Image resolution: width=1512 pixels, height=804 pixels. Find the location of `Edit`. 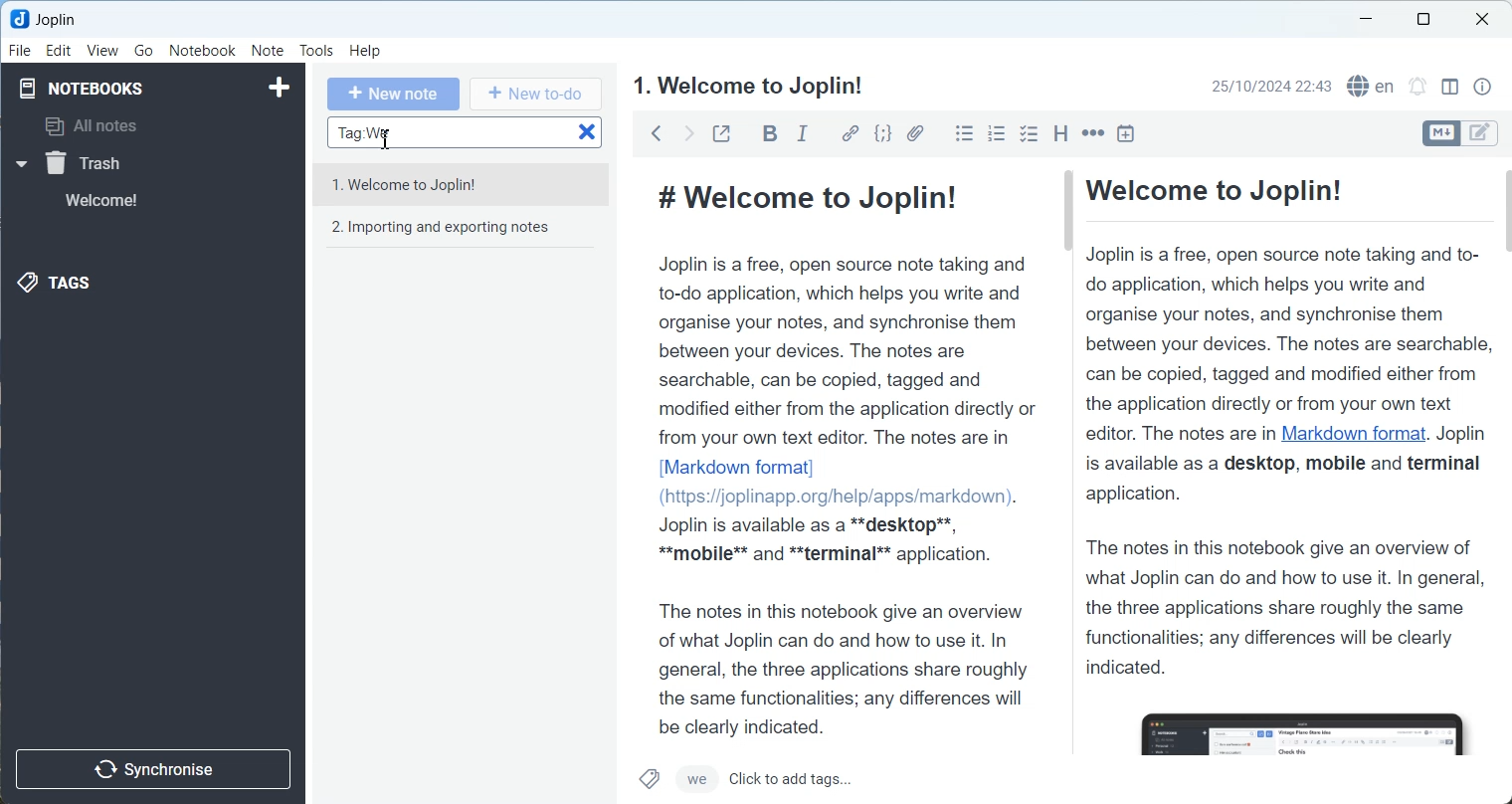

Edit is located at coordinates (60, 51).